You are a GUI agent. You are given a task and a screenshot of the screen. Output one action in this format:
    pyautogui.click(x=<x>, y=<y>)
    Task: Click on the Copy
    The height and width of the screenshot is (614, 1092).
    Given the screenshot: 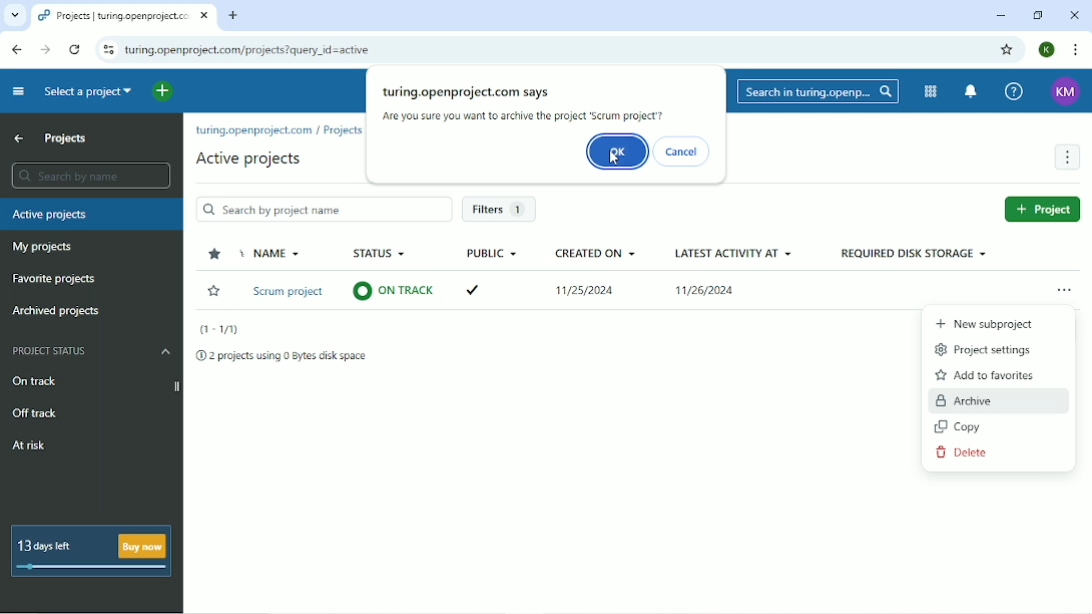 What is the action you would take?
    pyautogui.click(x=960, y=427)
    